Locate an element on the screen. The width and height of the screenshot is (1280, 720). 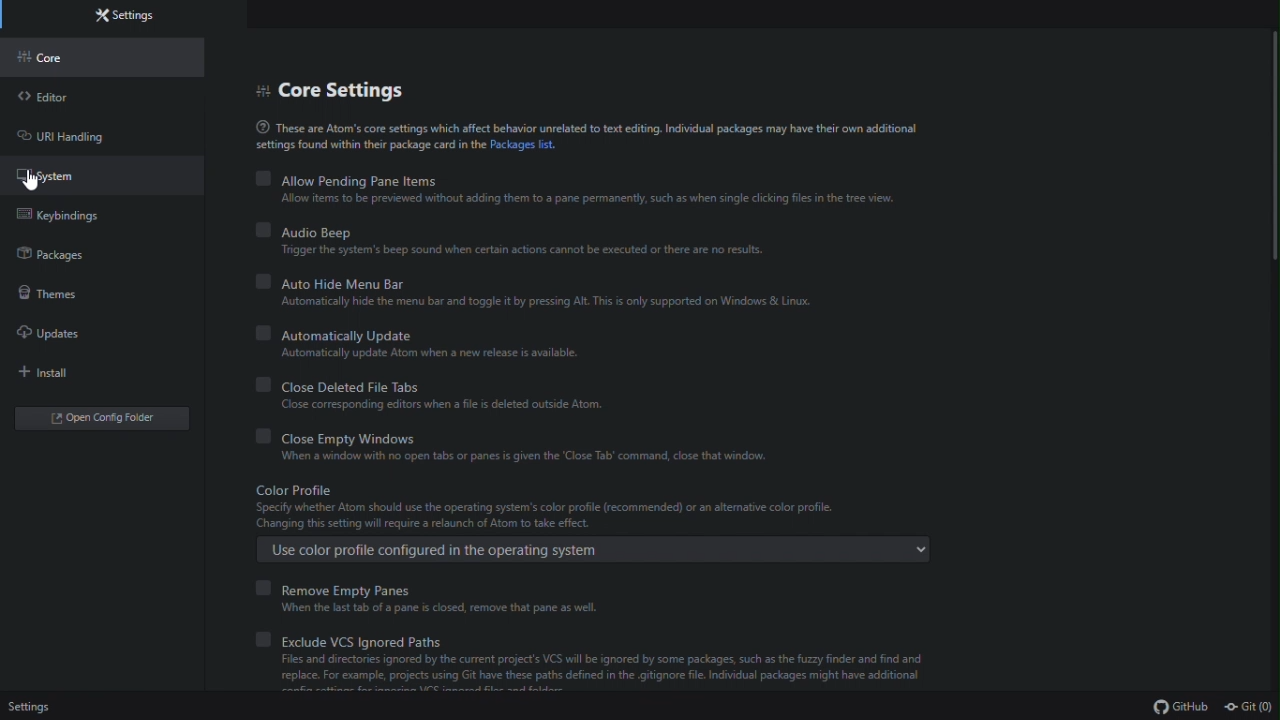
Allow items to be previewed without adding them to a pane permanently, such as when single clicking files in the tree view. is located at coordinates (587, 200).